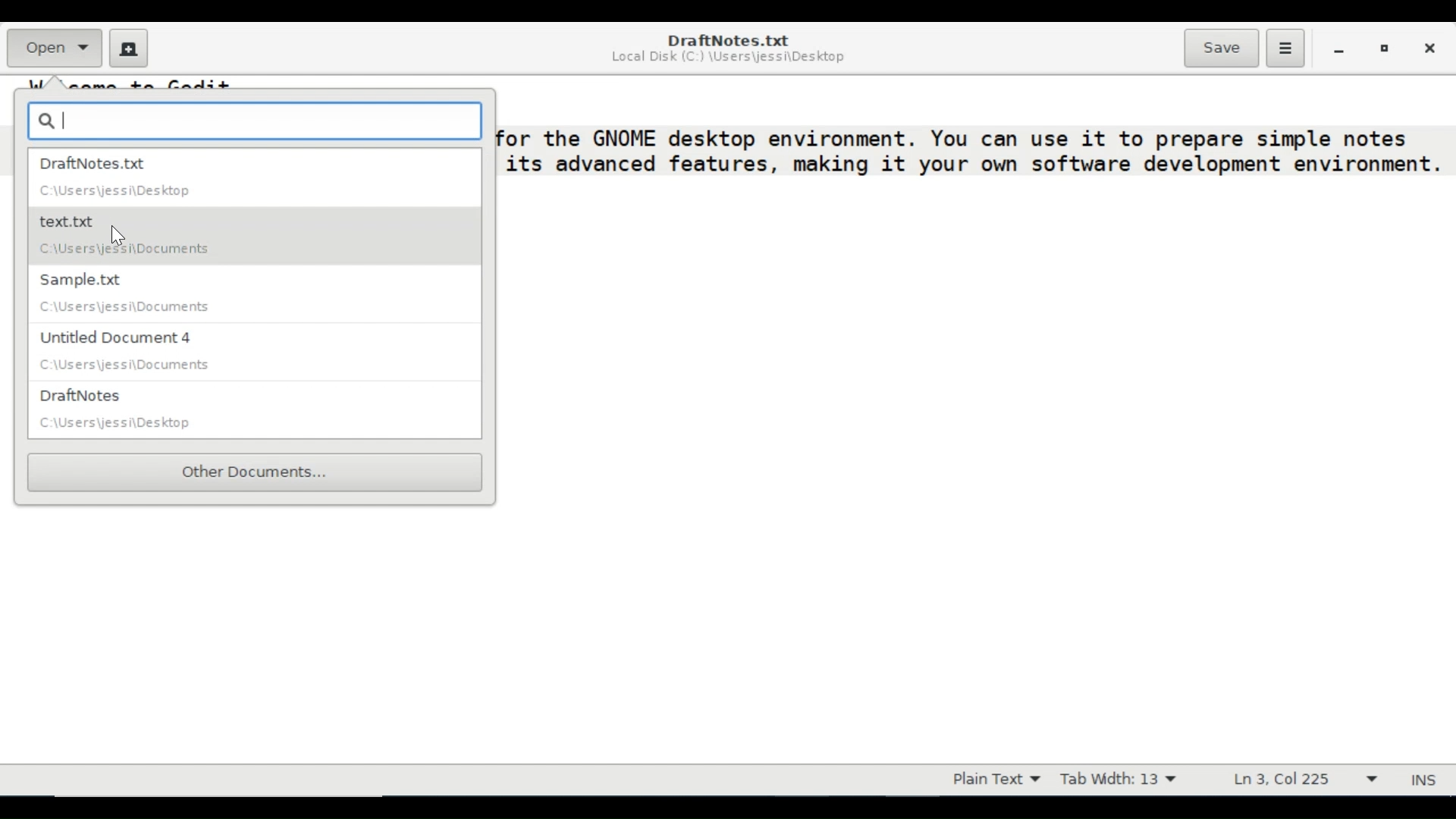 This screenshot has height=819, width=1456. I want to click on Close, so click(1428, 46).